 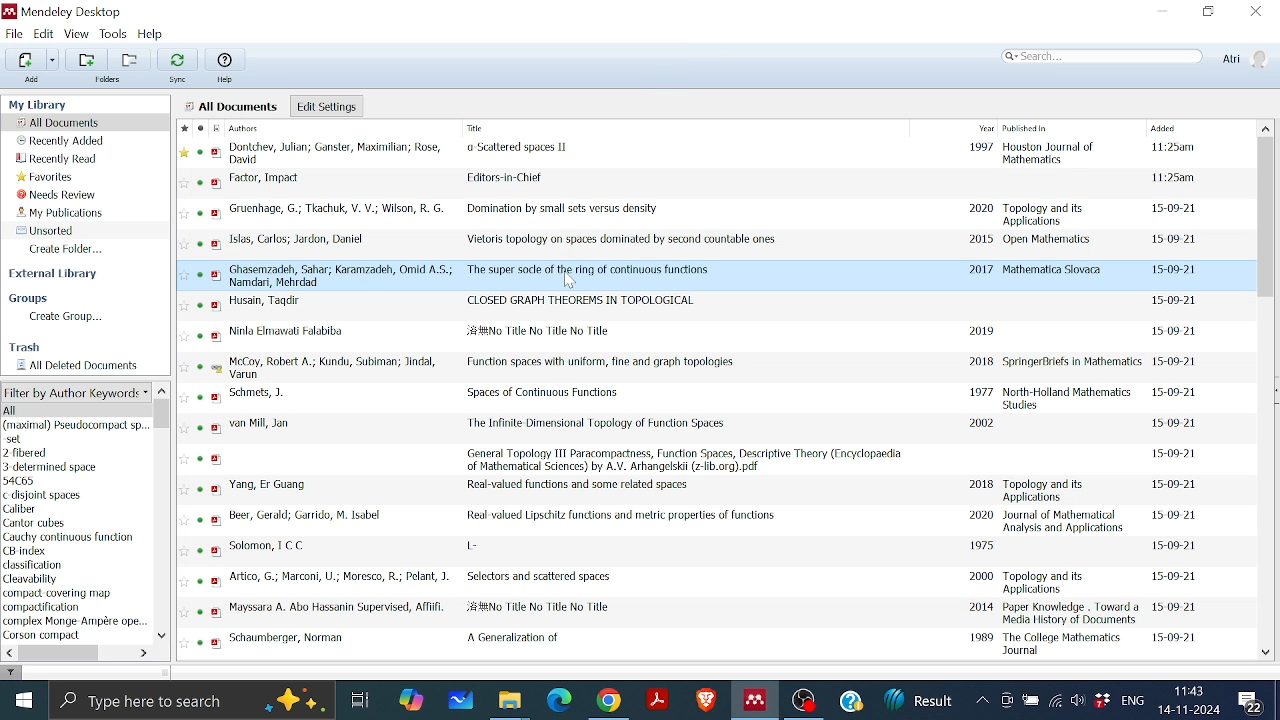 I want to click on L -, so click(x=706, y=550).